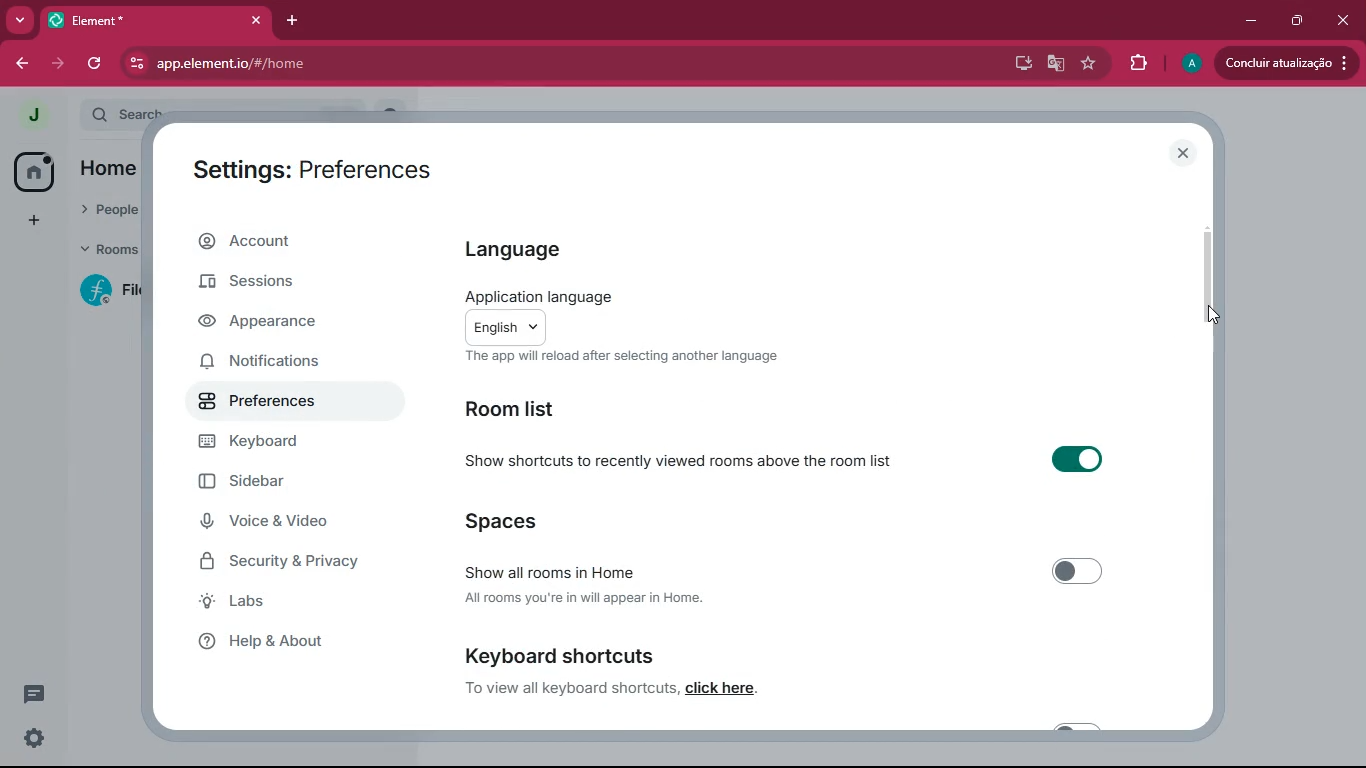 Image resolution: width=1366 pixels, height=768 pixels. What do you see at coordinates (1207, 264) in the screenshot?
I see `scroll bar` at bounding box center [1207, 264].